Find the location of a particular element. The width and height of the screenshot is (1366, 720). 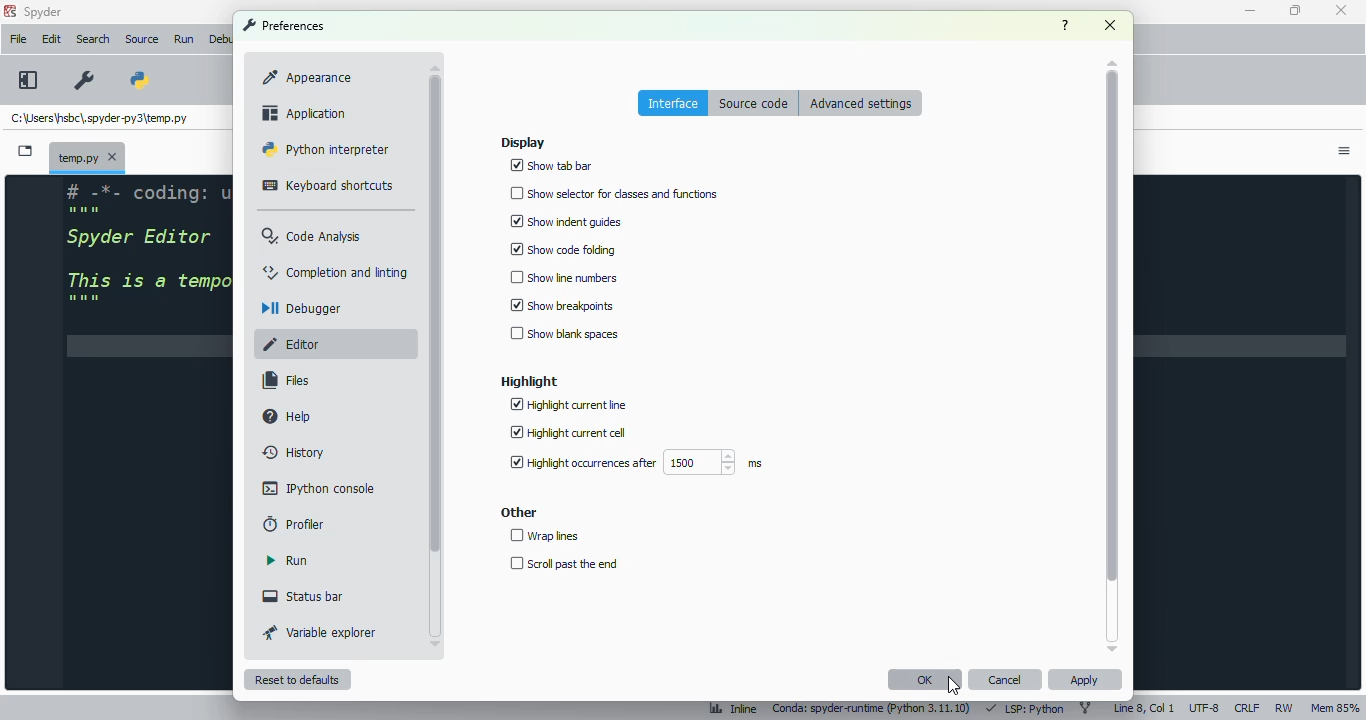

editor is located at coordinates (300, 344).